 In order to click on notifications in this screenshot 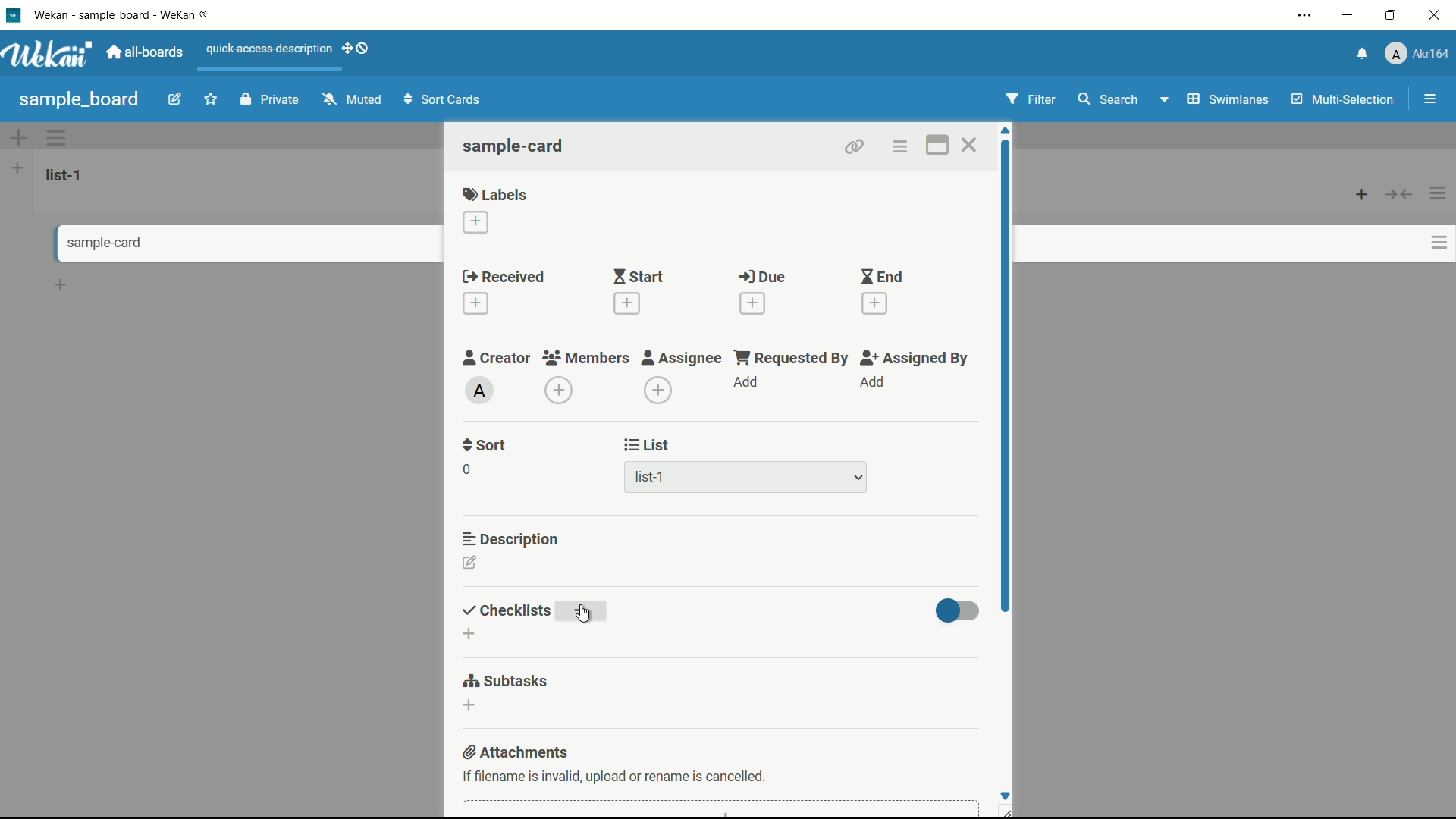, I will do `click(1360, 52)`.